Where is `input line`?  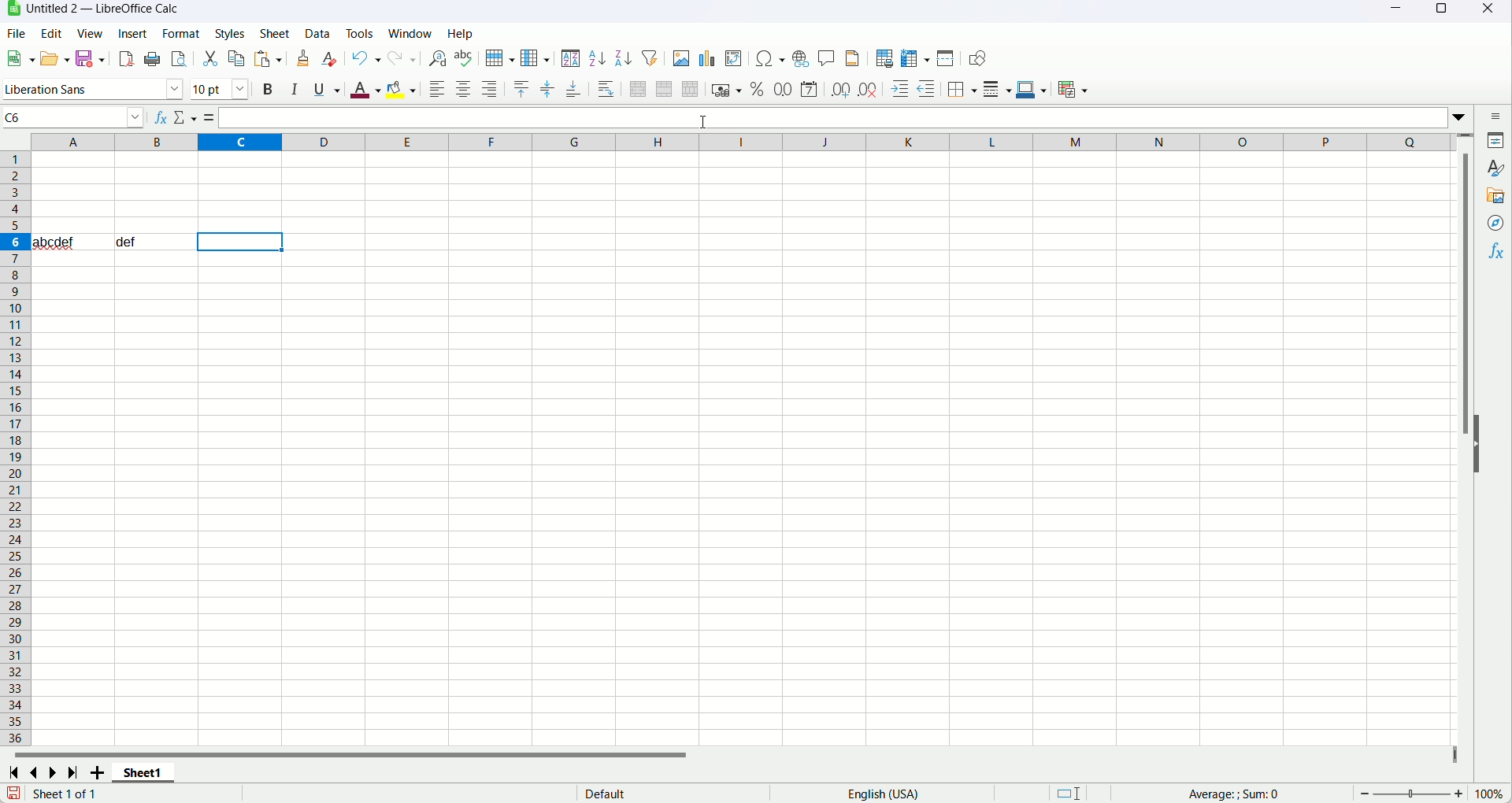
input line is located at coordinates (844, 117).